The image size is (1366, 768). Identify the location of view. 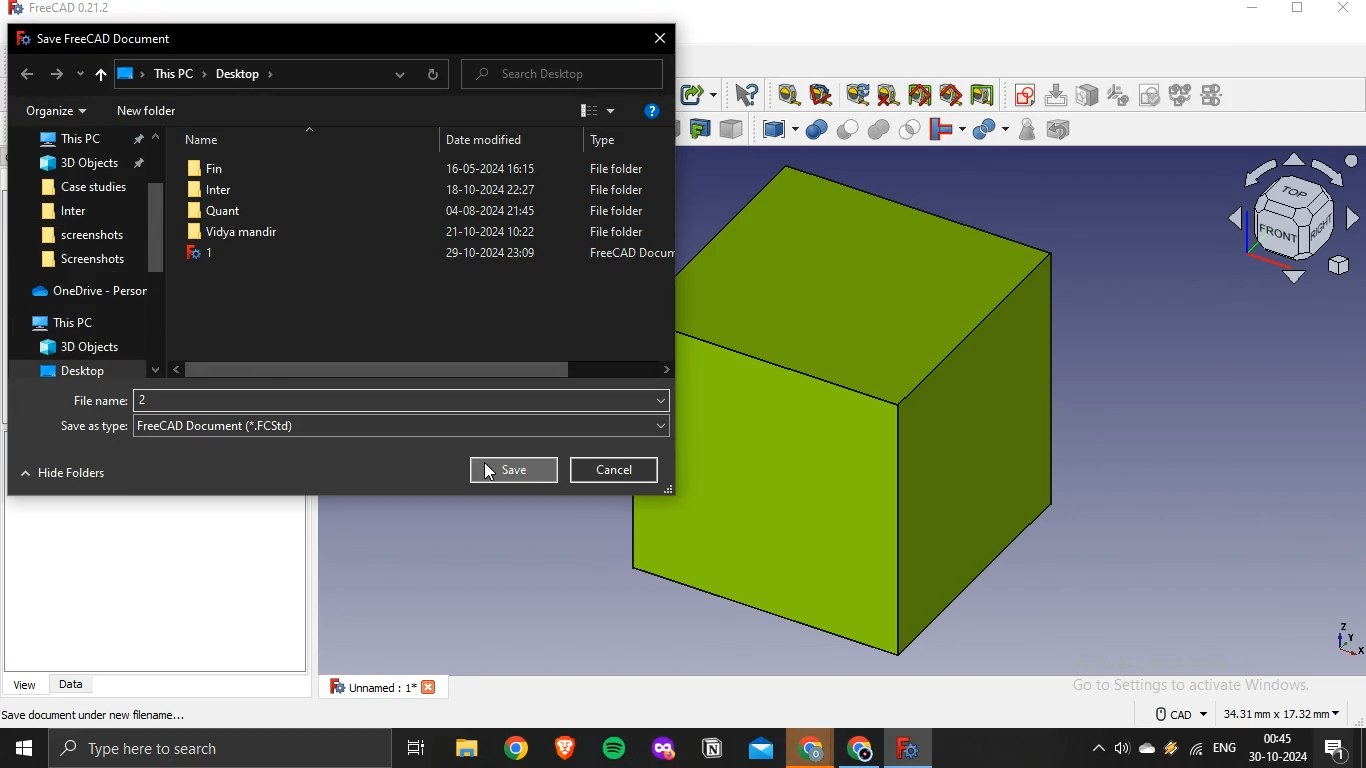
(26, 686).